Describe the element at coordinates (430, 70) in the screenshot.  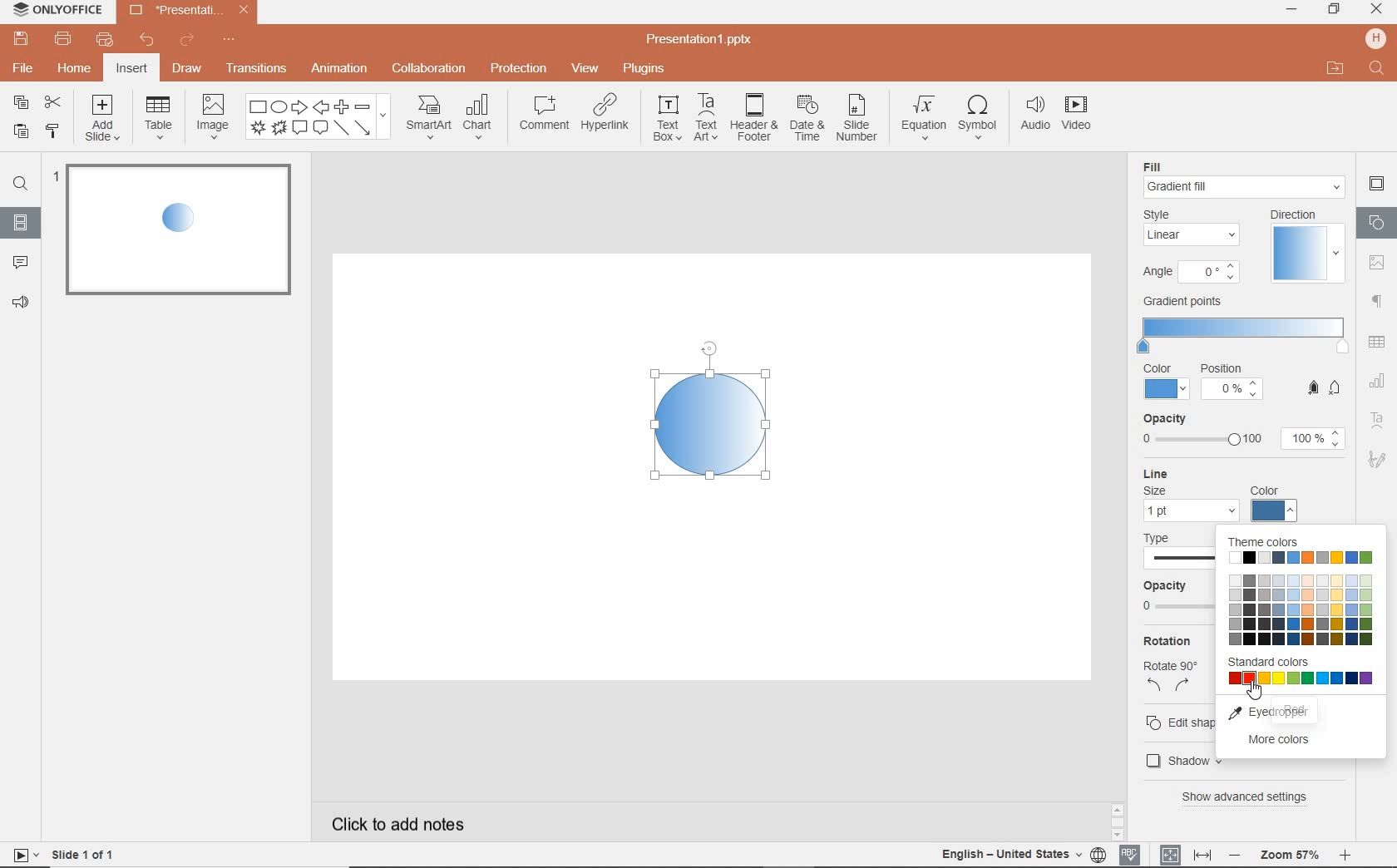
I see `collaboration` at that location.